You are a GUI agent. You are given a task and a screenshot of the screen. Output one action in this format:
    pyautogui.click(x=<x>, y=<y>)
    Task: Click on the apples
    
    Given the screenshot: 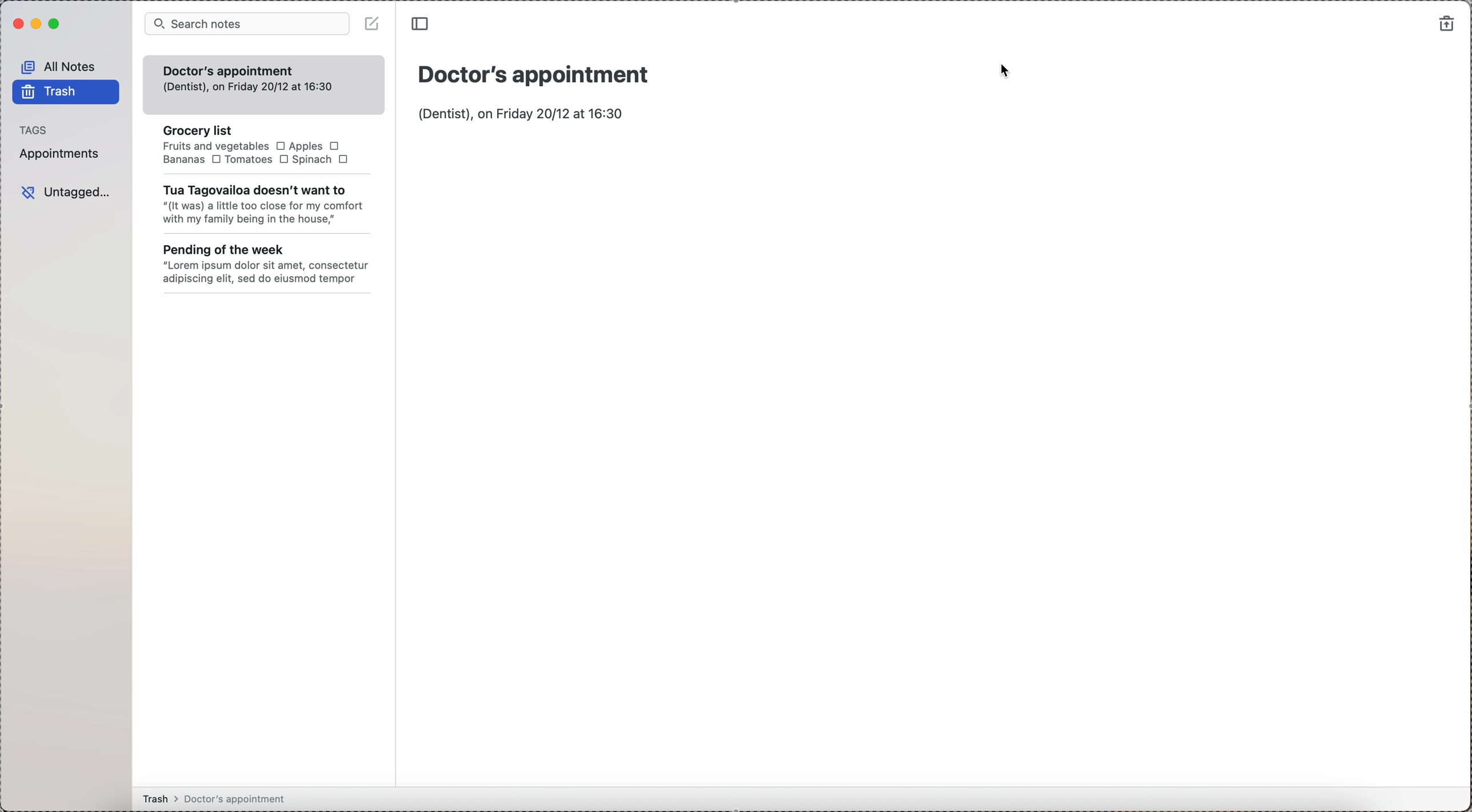 What is the action you would take?
    pyautogui.click(x=317, y=146)
    